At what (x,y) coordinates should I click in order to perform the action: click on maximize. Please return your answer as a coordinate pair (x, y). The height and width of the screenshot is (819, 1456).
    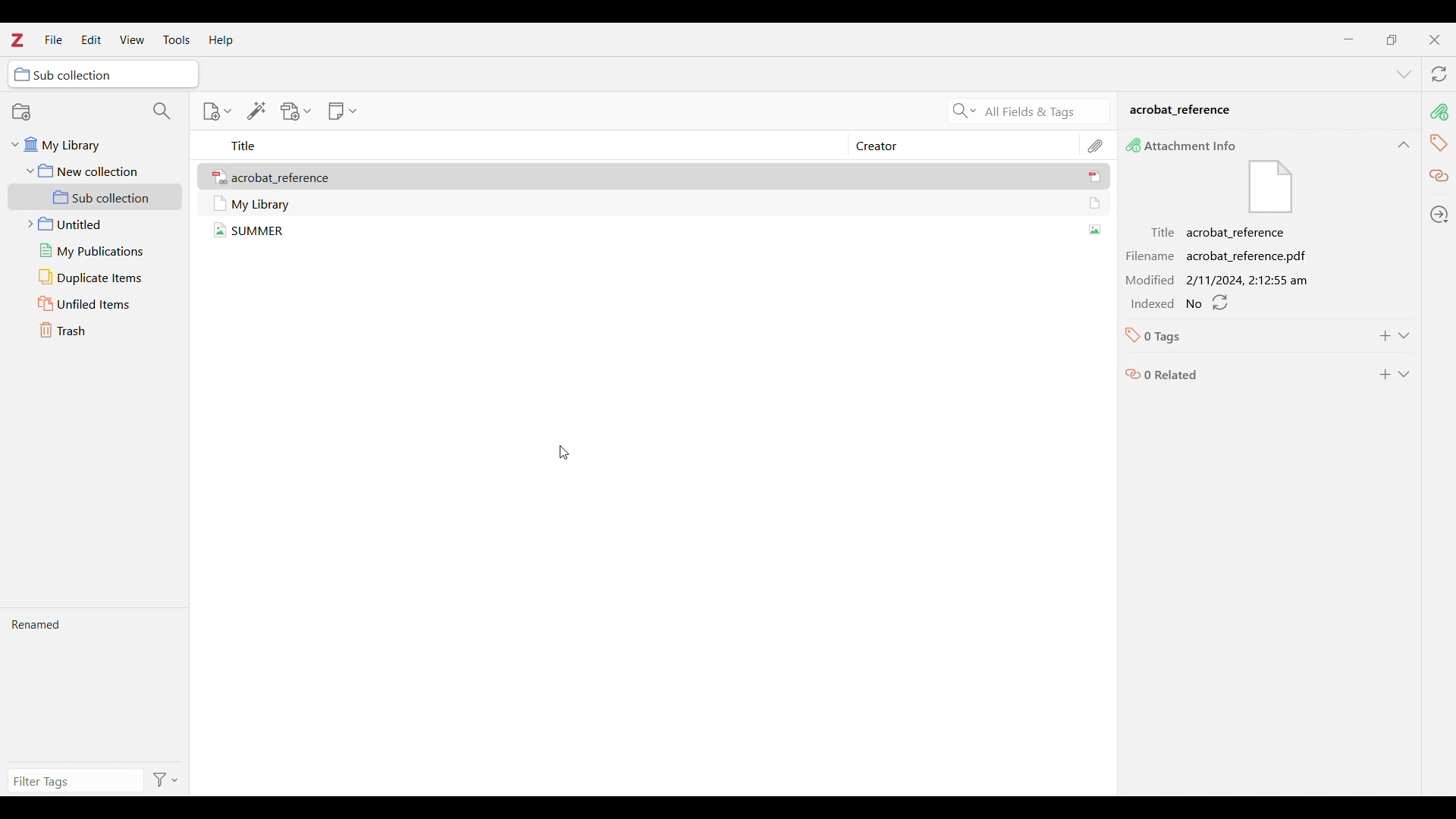
    Looking at the image, I should click on (1391, 39).